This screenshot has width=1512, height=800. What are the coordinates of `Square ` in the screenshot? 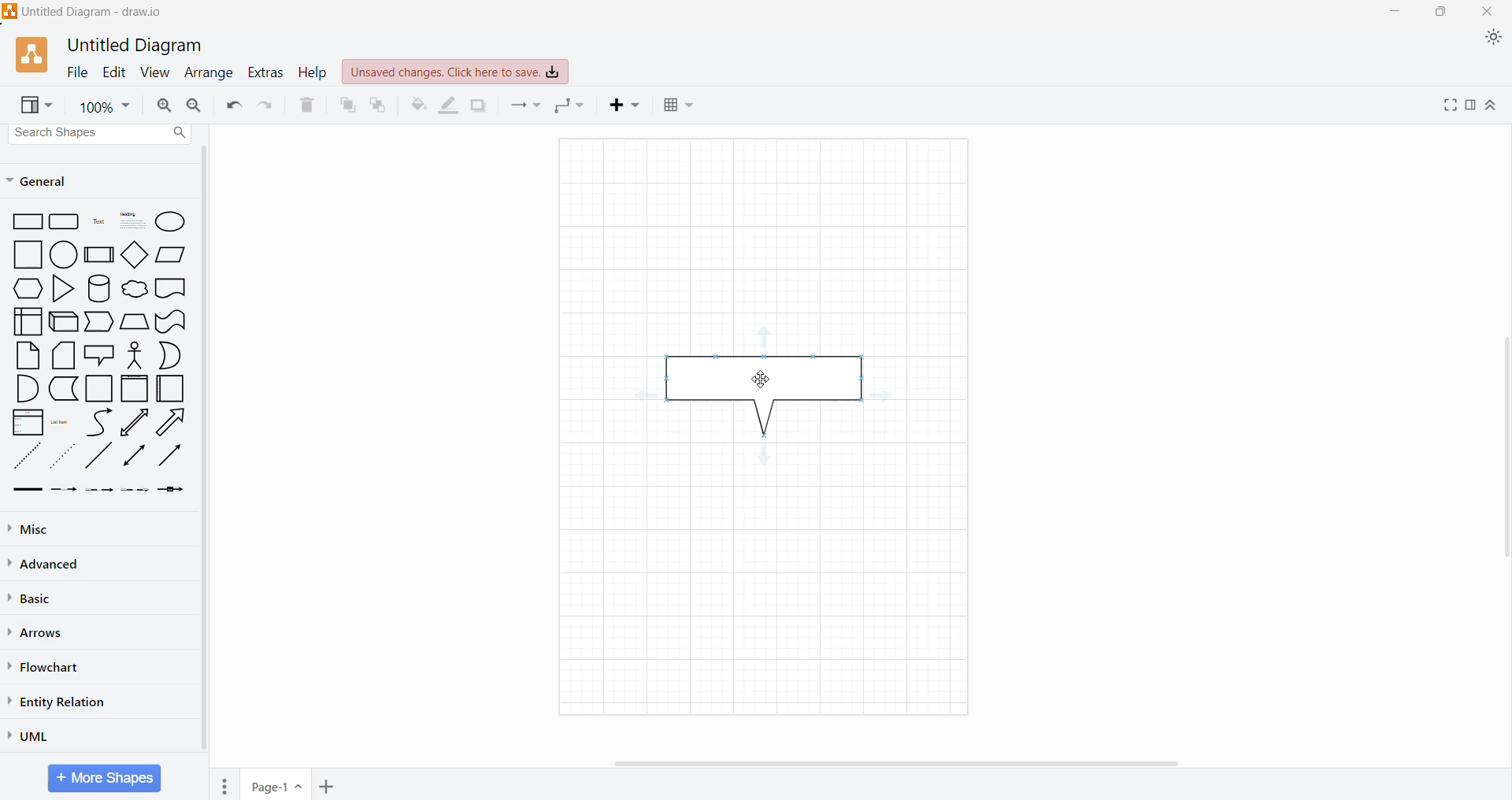 It's located at (99, 389).